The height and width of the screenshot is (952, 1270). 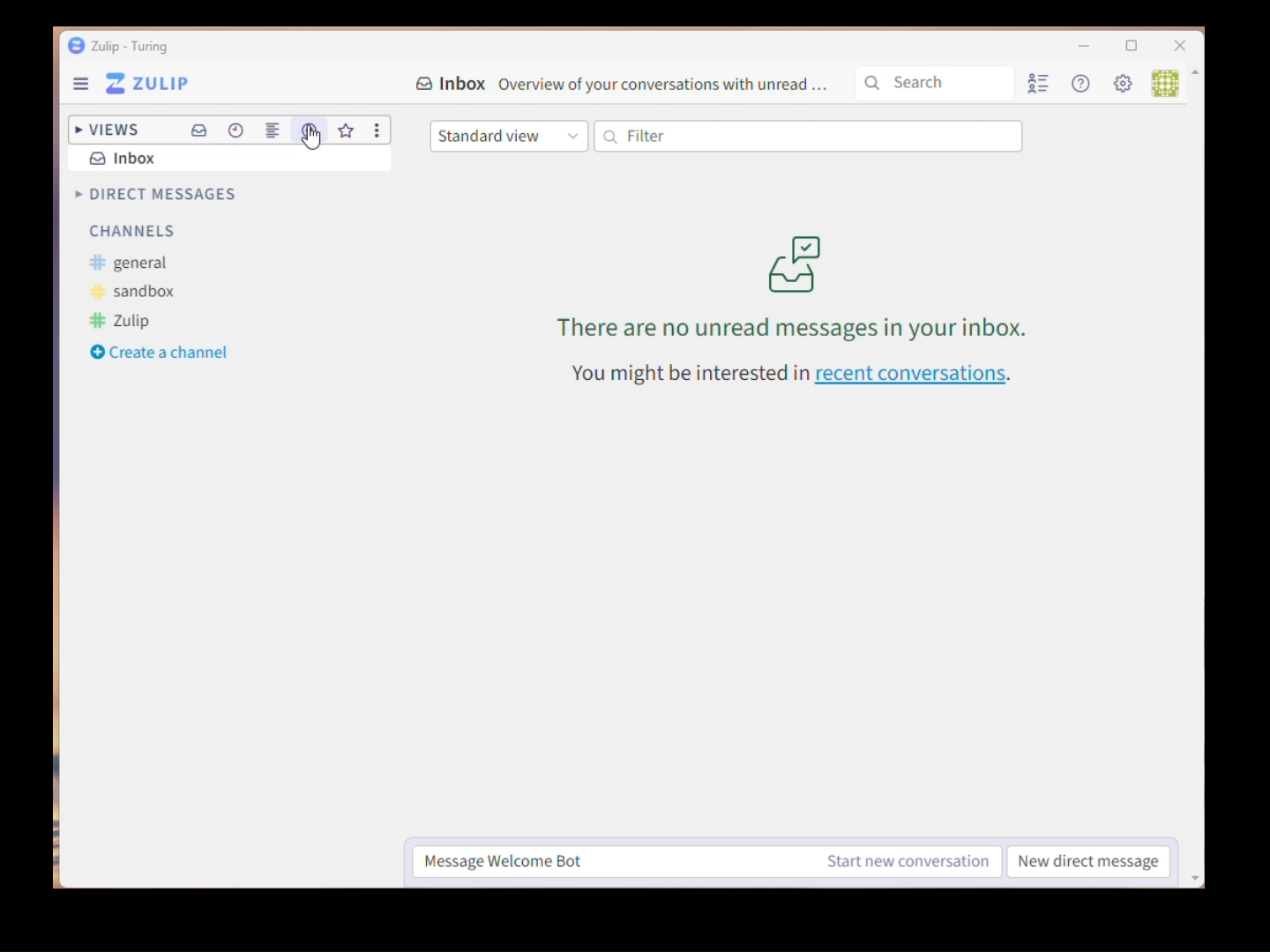 What do you see at coordinates (1084, 85) in the screenshot?
I see `Help` at bounding box center [1084, 85].